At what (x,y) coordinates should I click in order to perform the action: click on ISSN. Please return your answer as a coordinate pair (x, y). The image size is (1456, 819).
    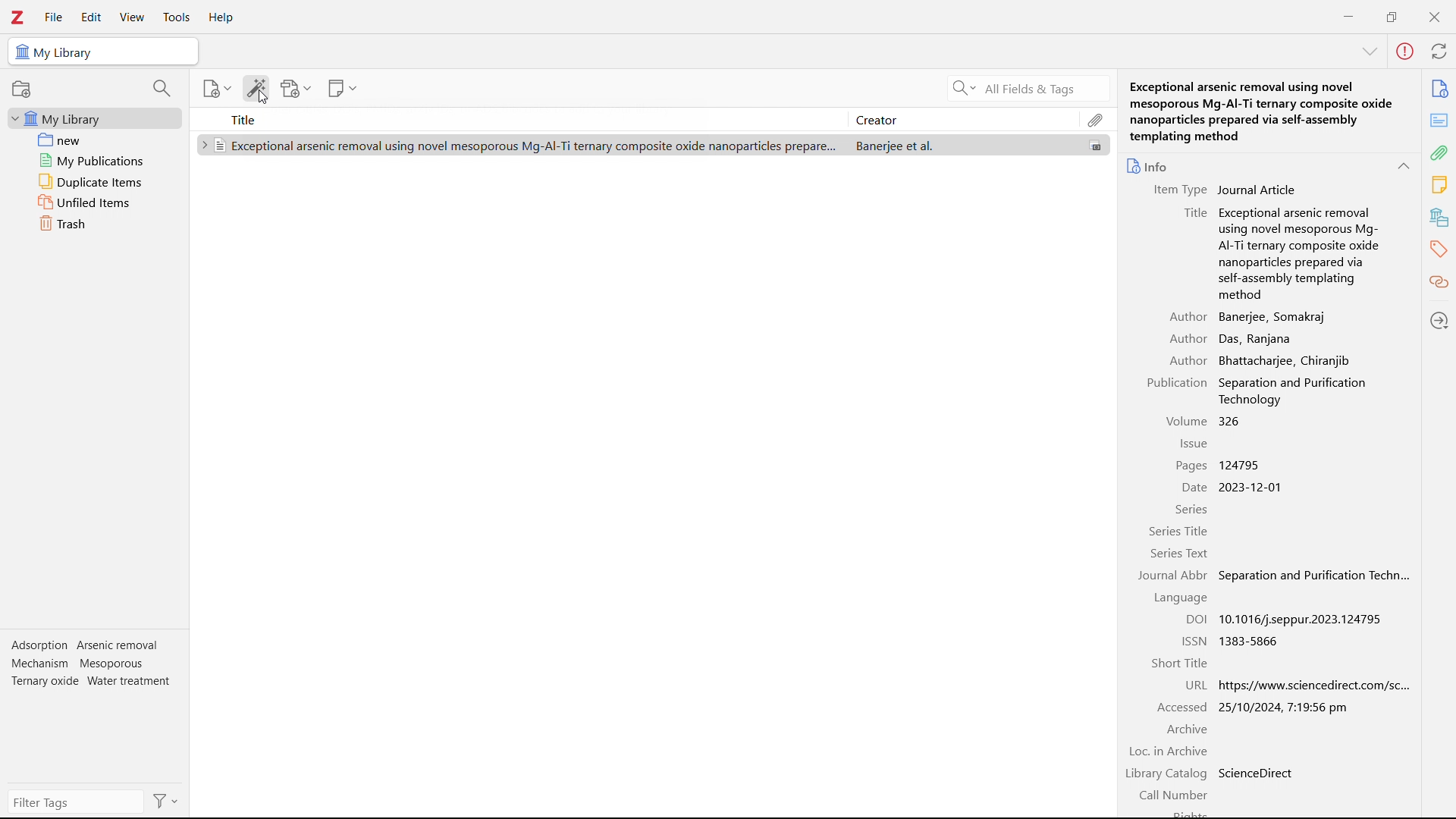
    Looking at the image, I should click on (1194, 640).